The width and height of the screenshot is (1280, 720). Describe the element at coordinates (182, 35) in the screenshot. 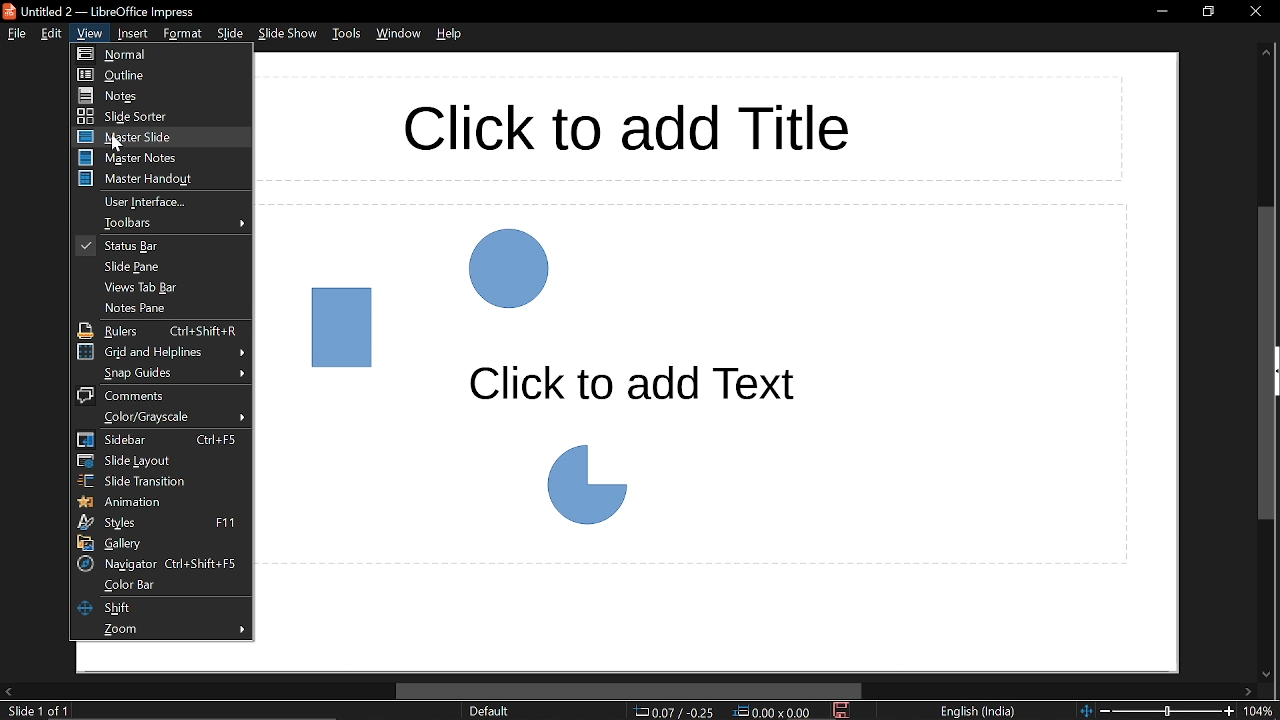

I see `Format` at that location.